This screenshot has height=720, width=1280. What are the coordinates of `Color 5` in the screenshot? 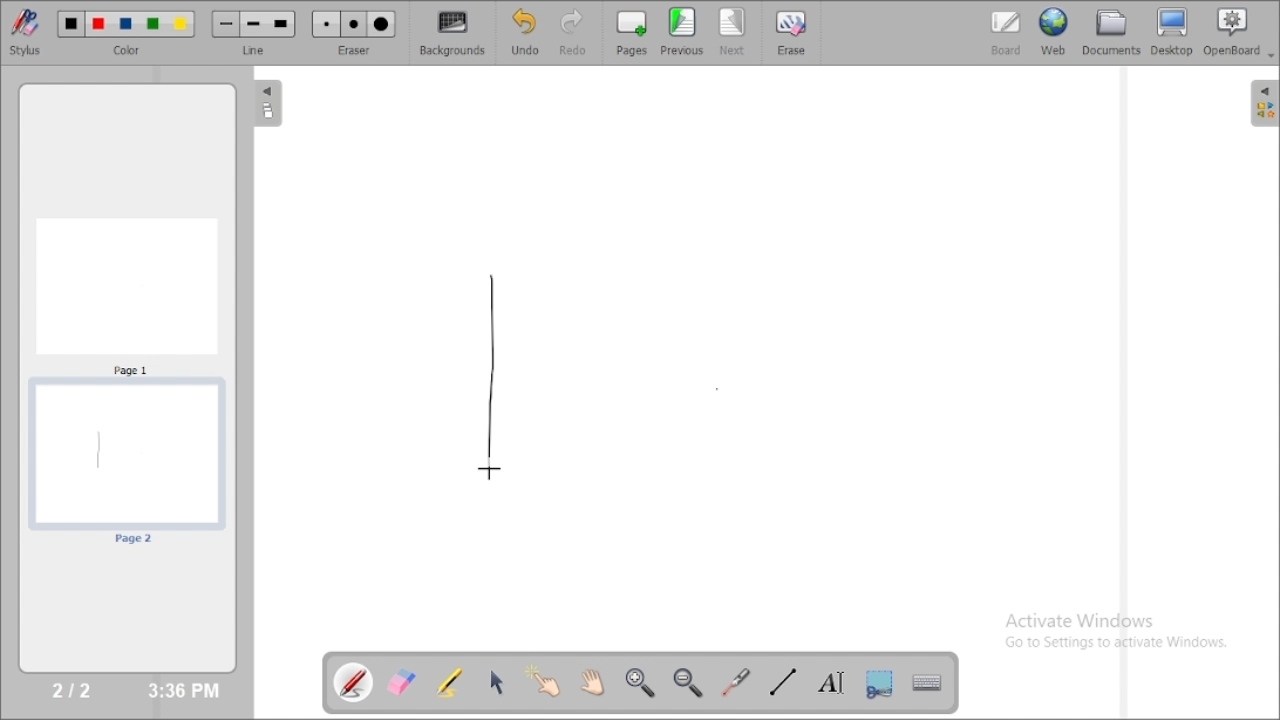 It's located at (181, 24).